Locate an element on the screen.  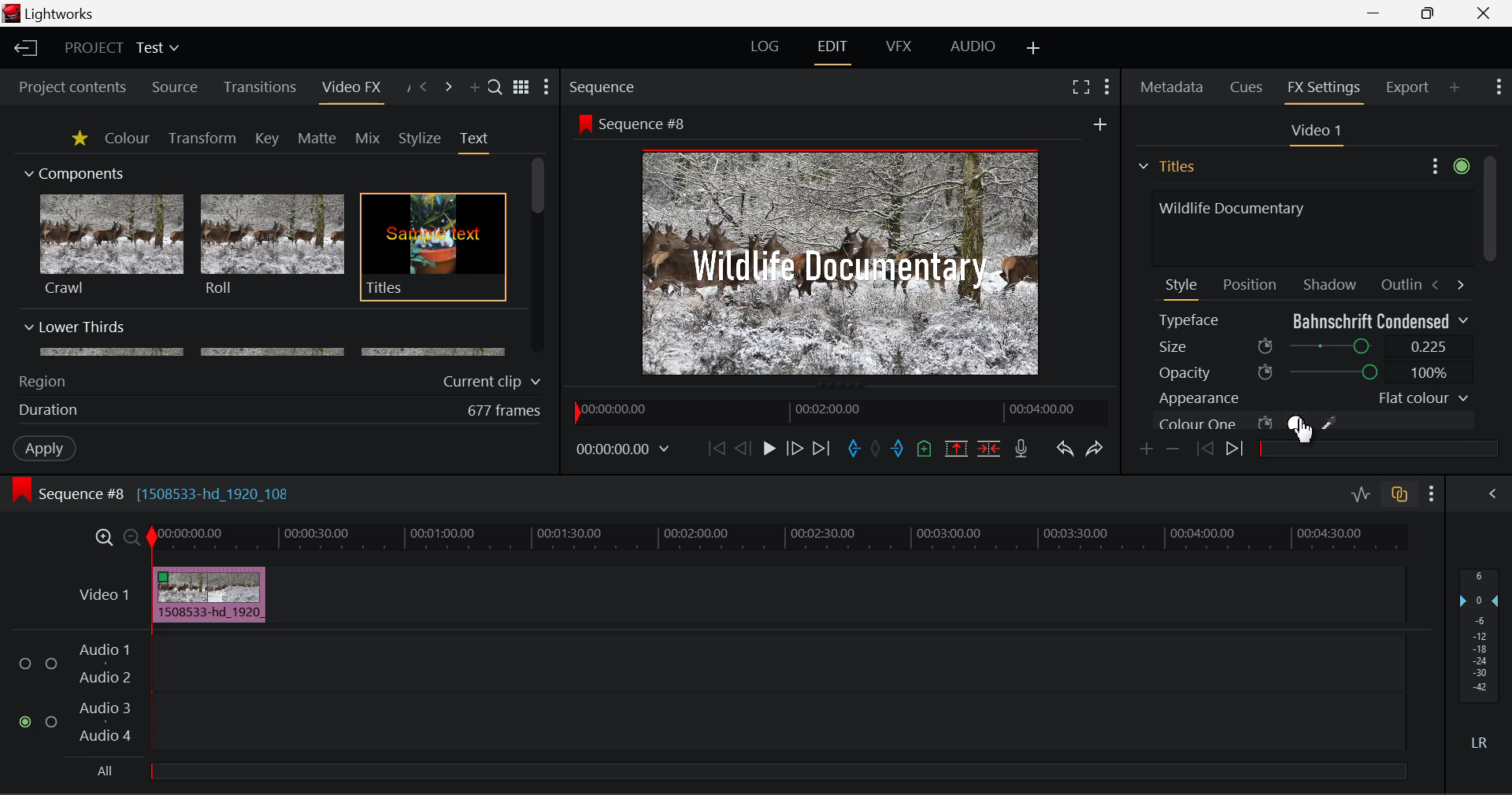
Minimize is located at coordinates (1432, 12).